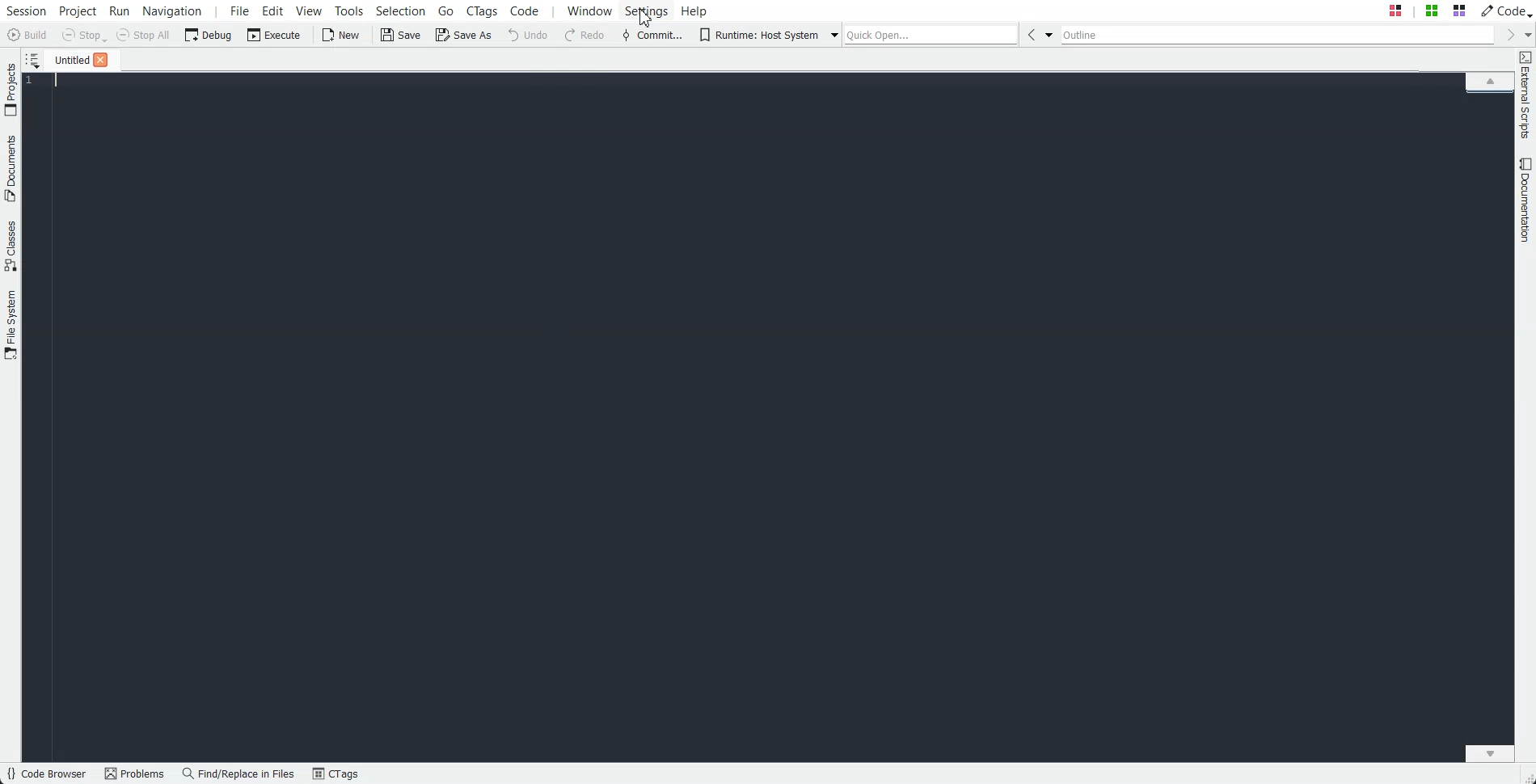  I want to click on Documents, so click(11, 168).